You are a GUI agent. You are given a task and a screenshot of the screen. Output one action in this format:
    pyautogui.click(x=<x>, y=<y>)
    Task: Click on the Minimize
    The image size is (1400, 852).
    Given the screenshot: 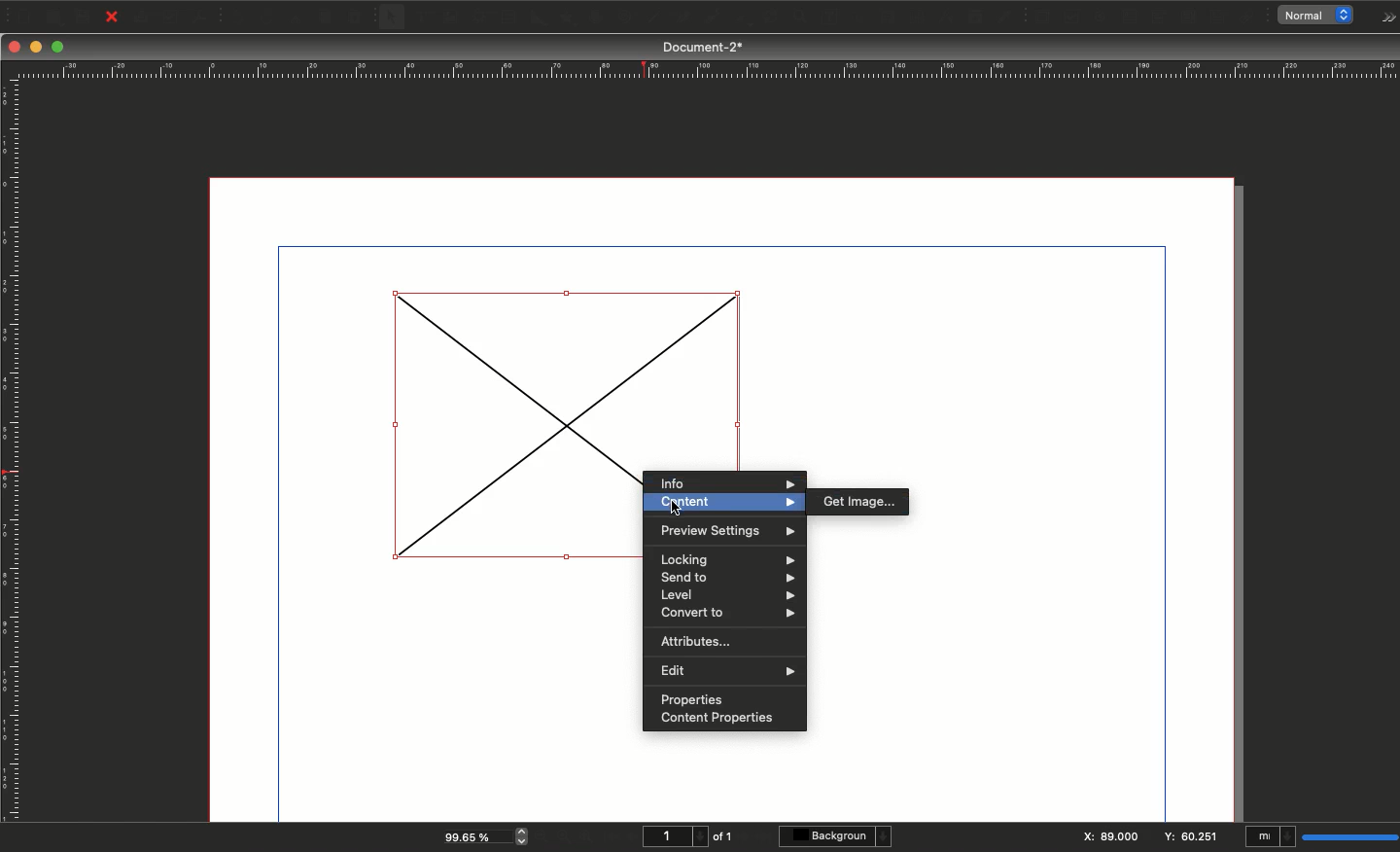 What is the action you would take?
    pyautogui.click(x=38, y=48)
    